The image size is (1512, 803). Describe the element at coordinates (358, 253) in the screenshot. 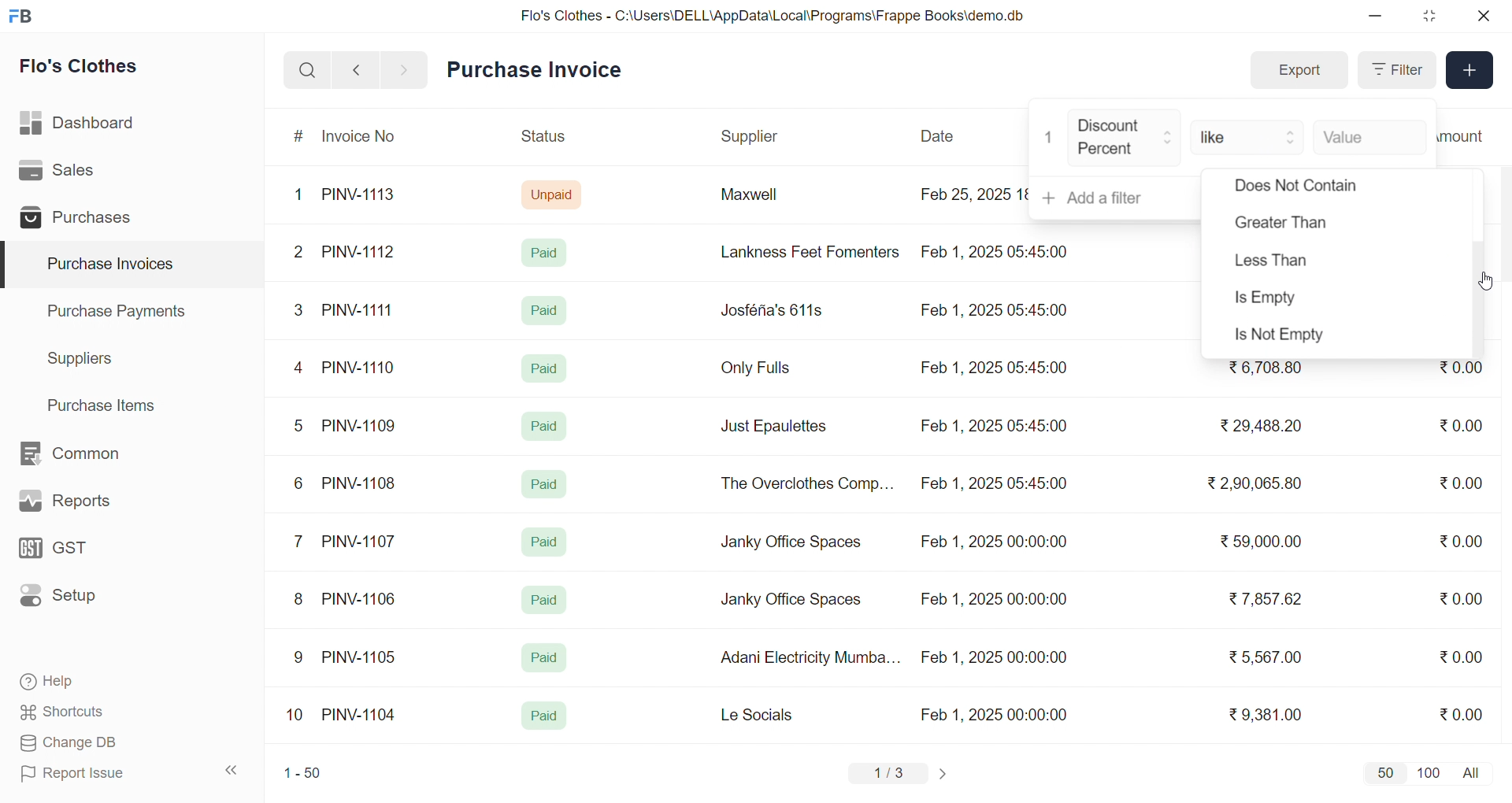

I see `PINV-1112` at that location.